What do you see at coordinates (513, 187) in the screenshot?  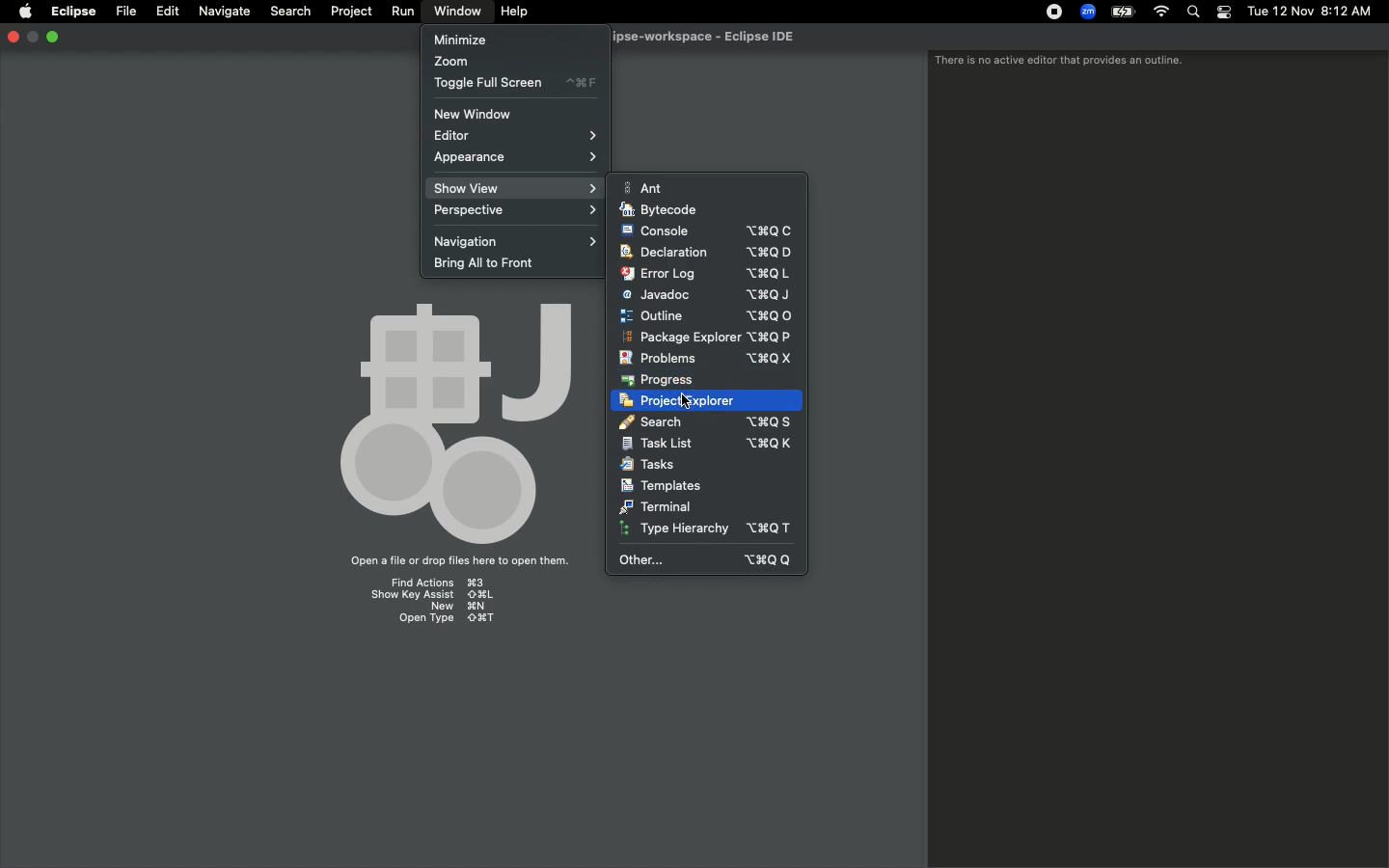 I see `Show view` at bounding box center [513, 187].